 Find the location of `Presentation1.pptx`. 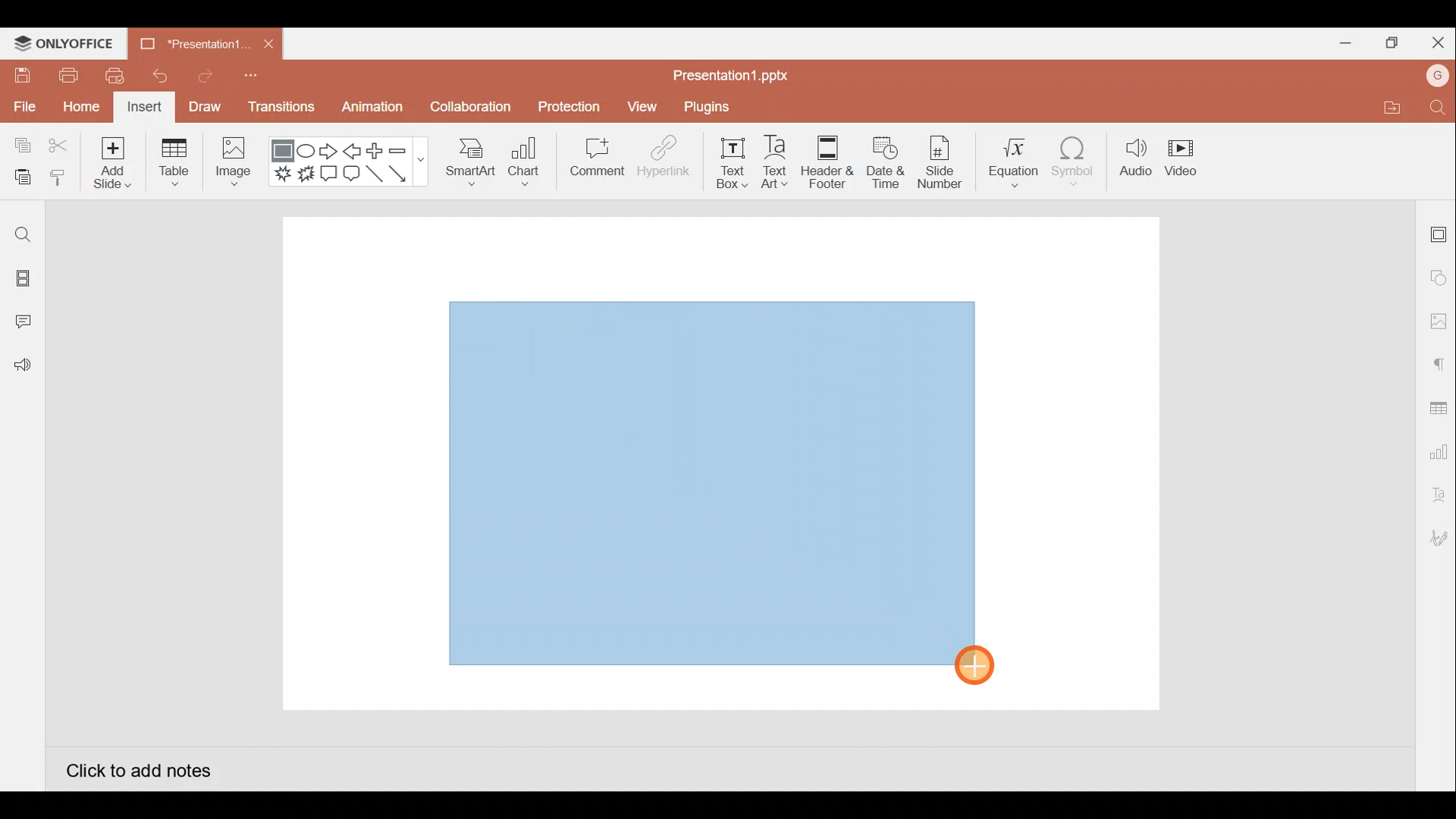

Presentation1.pptx is located at coordinates (736, 74).